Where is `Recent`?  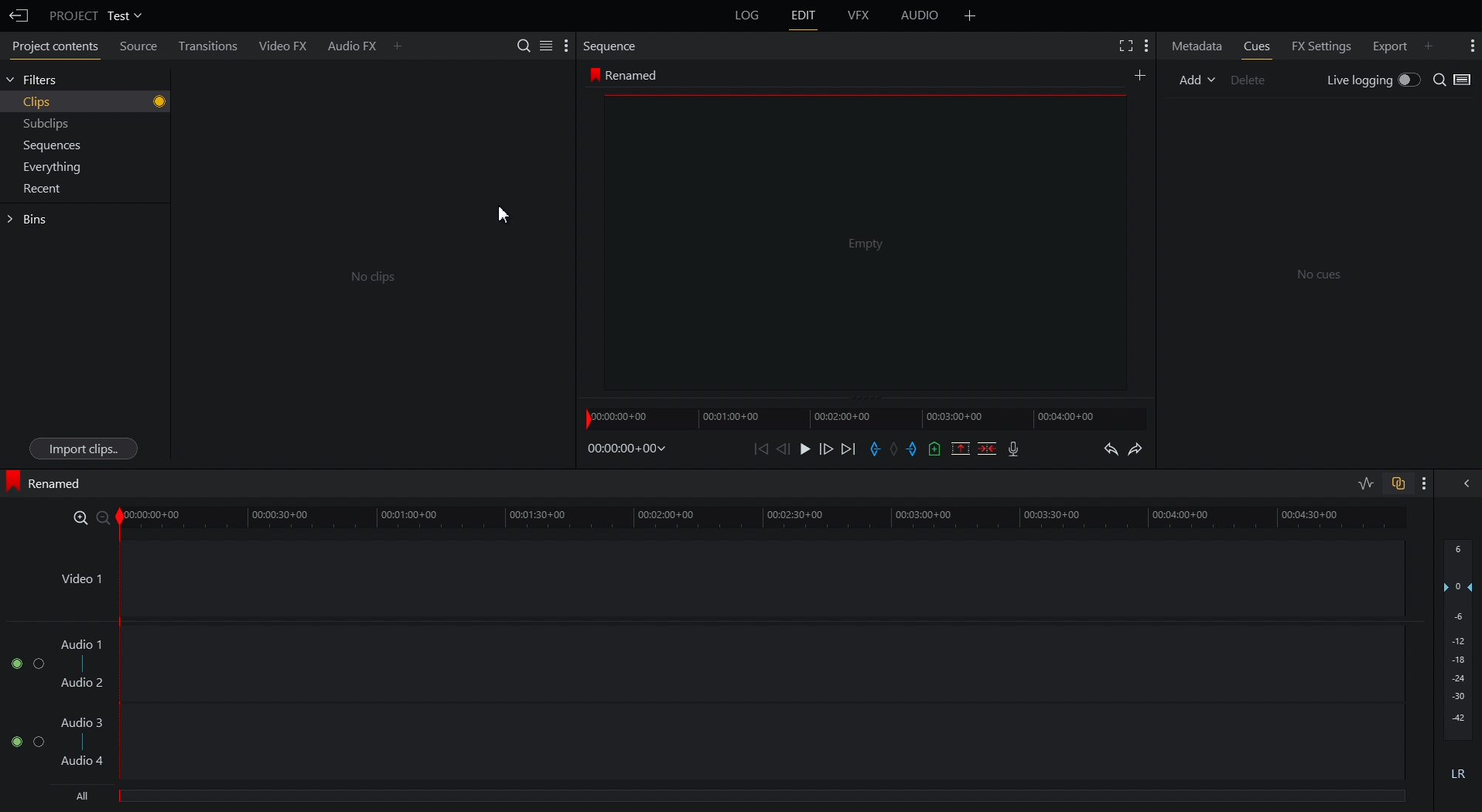
Recent is located at coordinates (39, 192).